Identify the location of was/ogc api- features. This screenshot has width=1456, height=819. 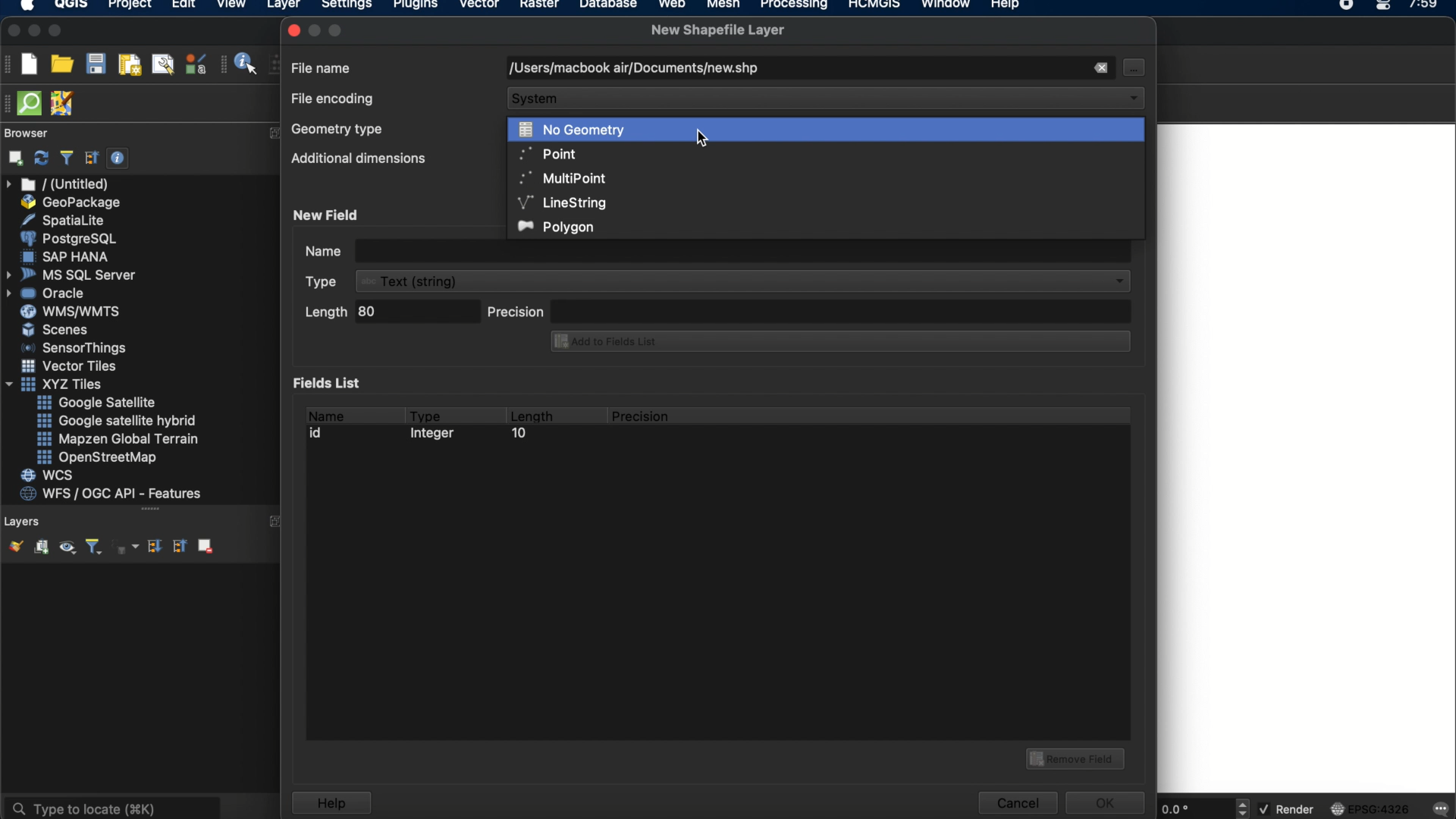
(111, 494).